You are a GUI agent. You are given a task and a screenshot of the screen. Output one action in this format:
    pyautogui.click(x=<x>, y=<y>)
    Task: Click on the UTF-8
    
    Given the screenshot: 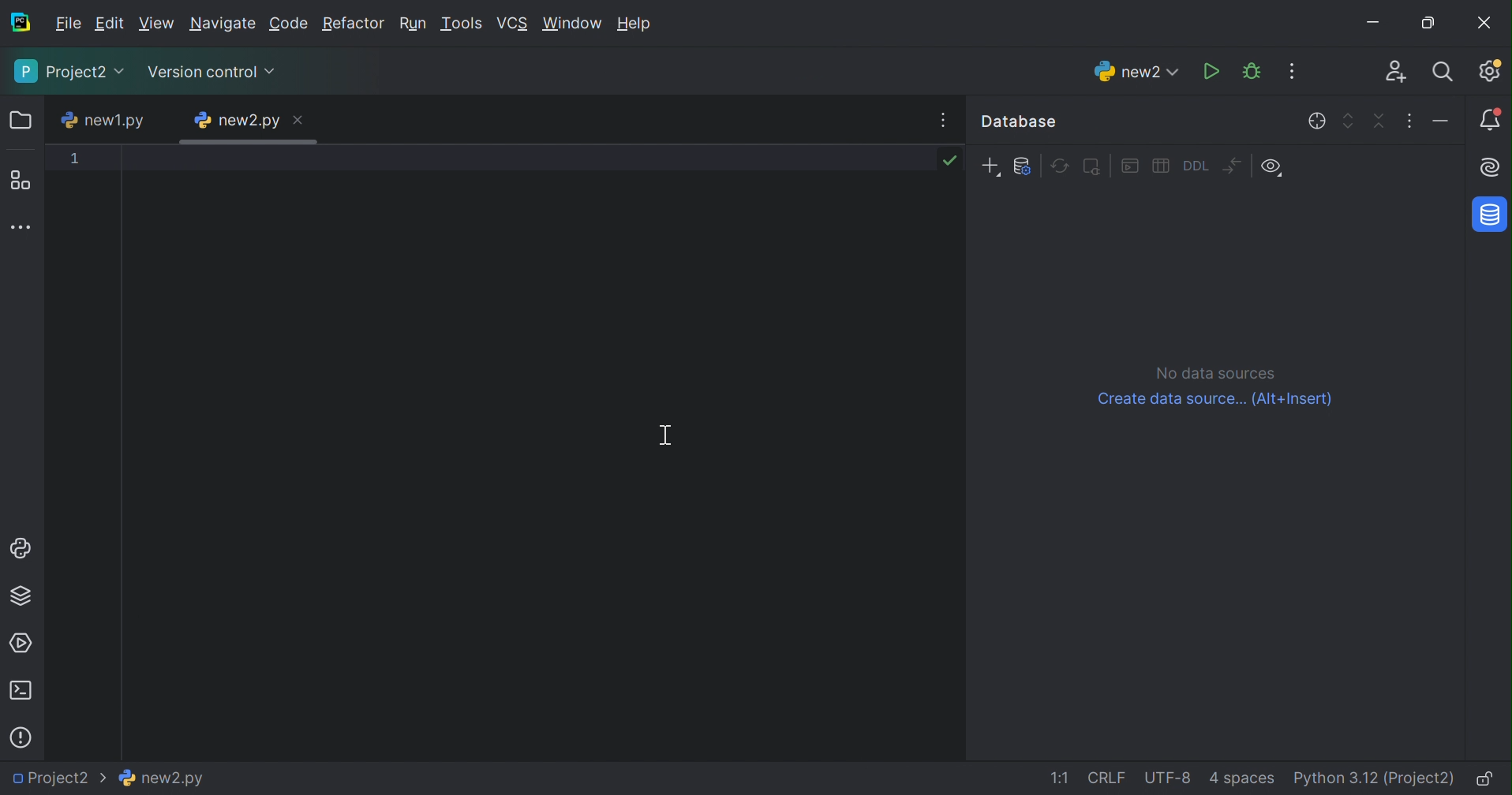 What is the action you would take?
    pyautogui.click(x=1167, y=777)
    